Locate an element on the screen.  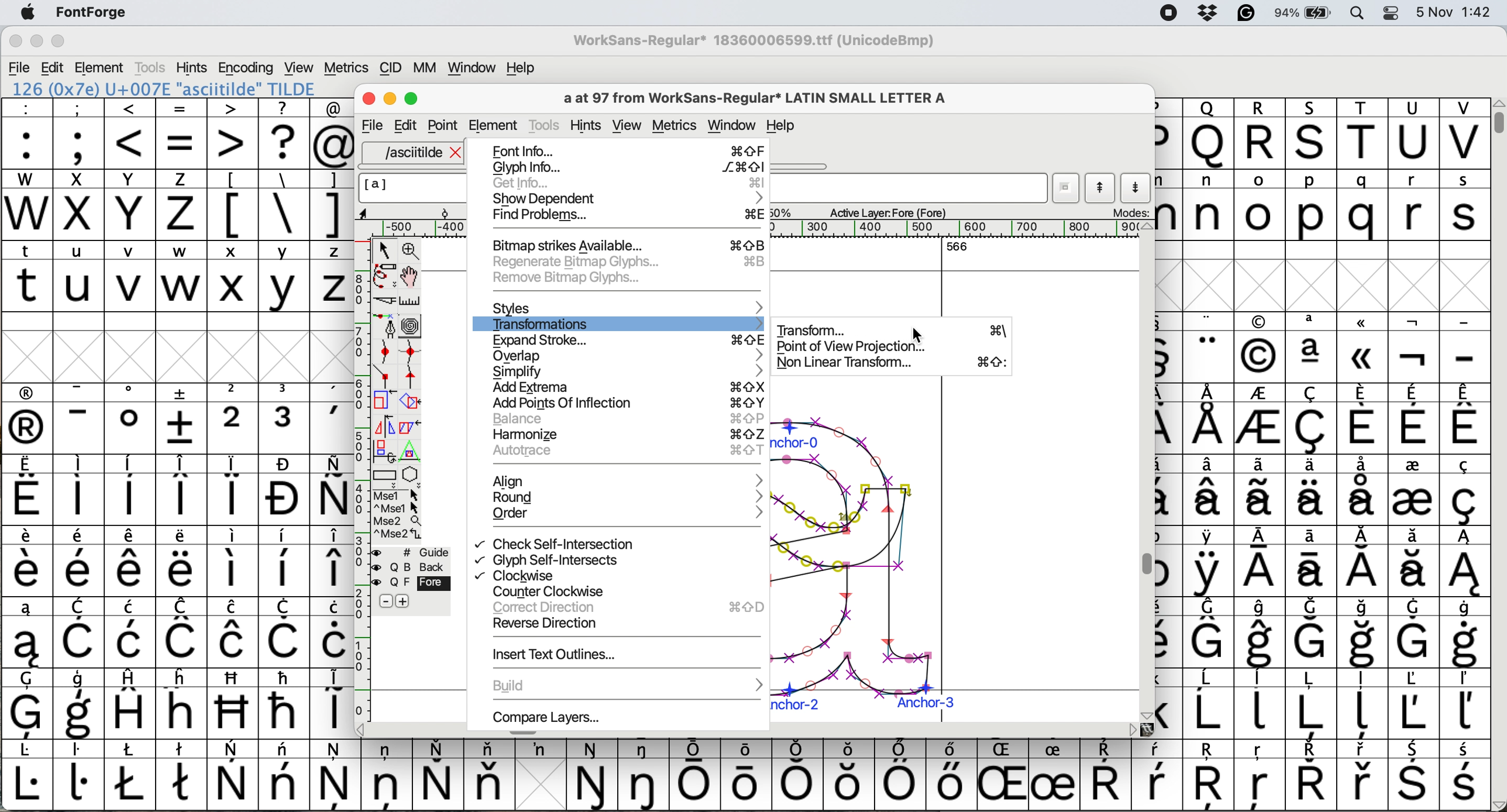
non linear transform is located at coordinates (890, 365).